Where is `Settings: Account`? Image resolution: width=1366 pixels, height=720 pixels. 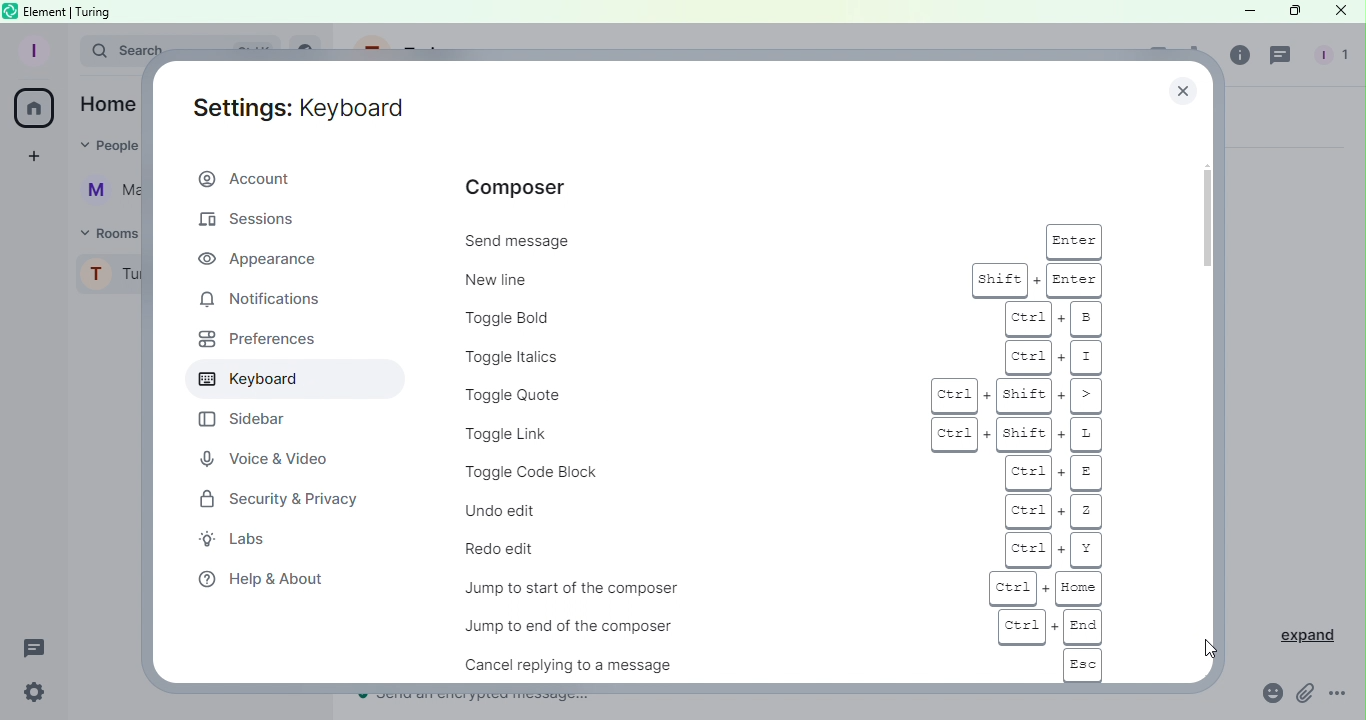
Settings: Account is located at coordinates (305, 107).